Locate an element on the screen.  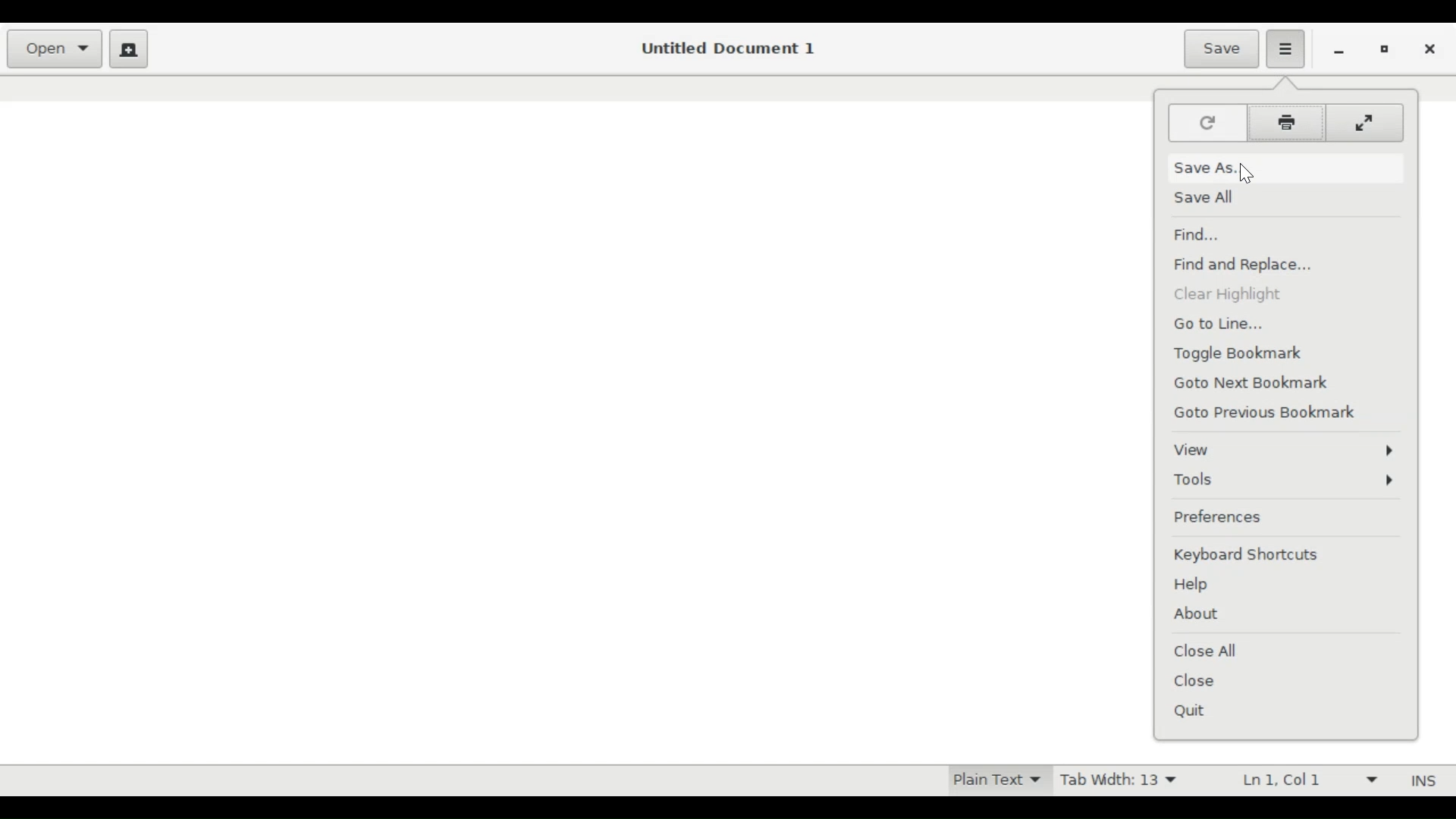
Keyboard Shortcuts is located at coordinates (1246, 555).